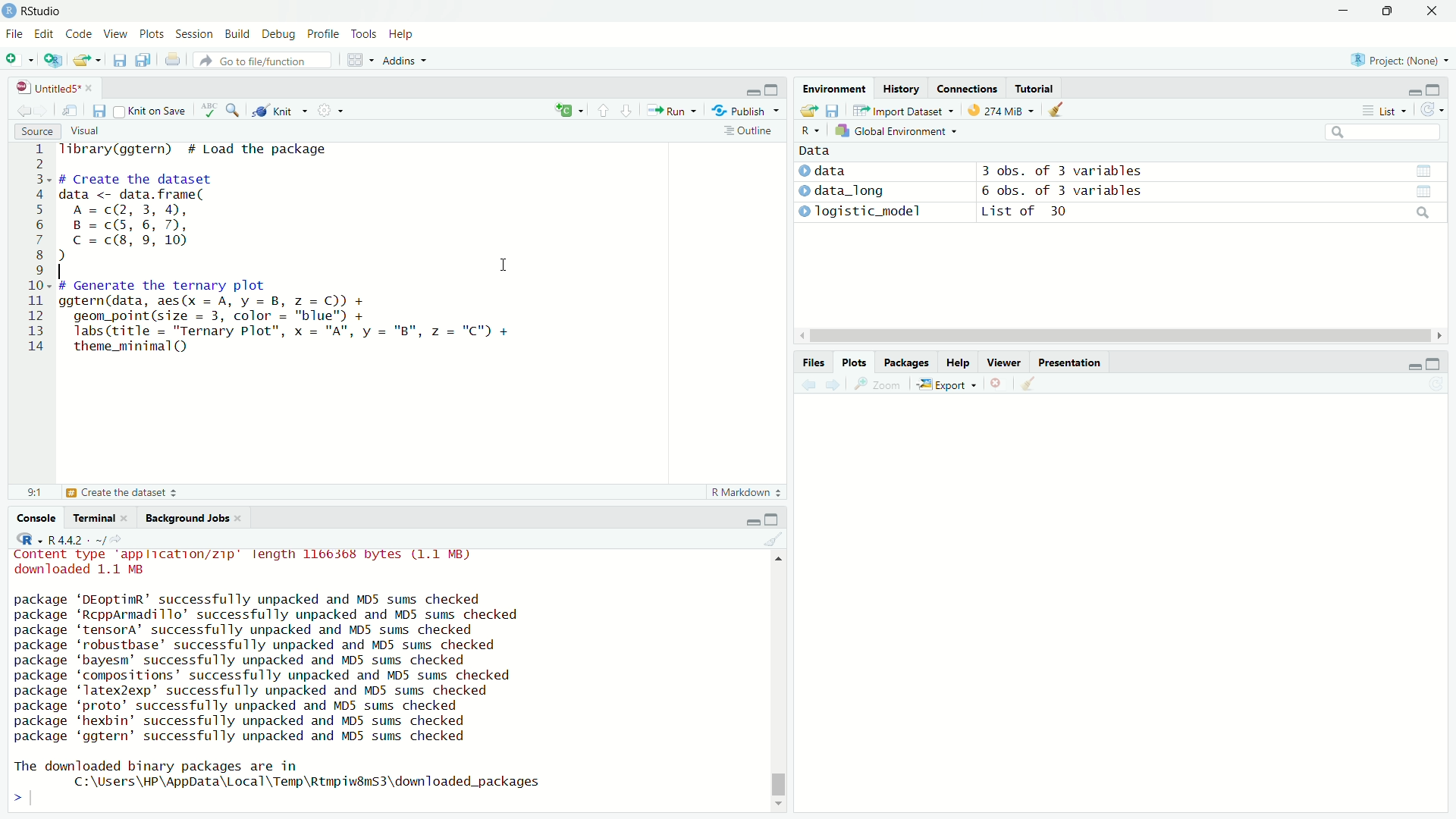 This screenshot has width=1456, height=819. What do you see at coordinates (676, 111) in the screenshot?
I see `“+ Run` at bounding box center [676, 111].